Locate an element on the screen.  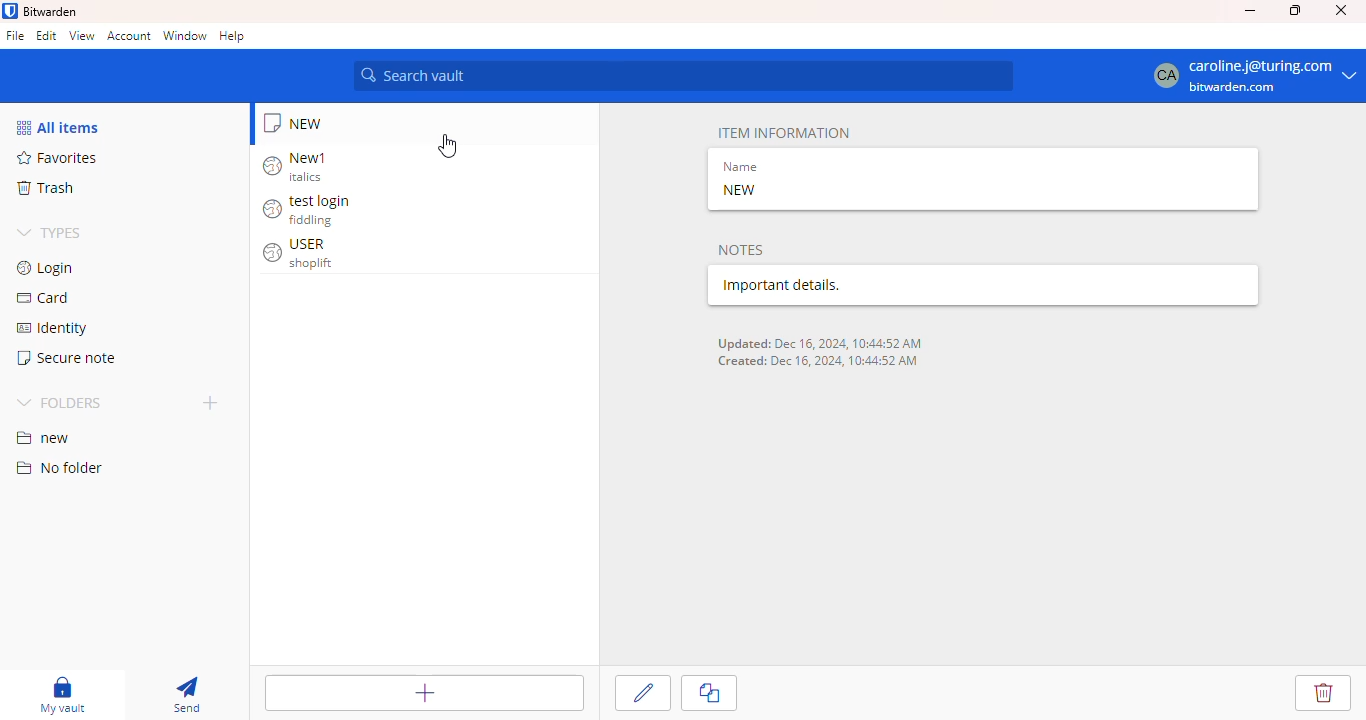
"USER" login entry is located at coordinates (301, 252).